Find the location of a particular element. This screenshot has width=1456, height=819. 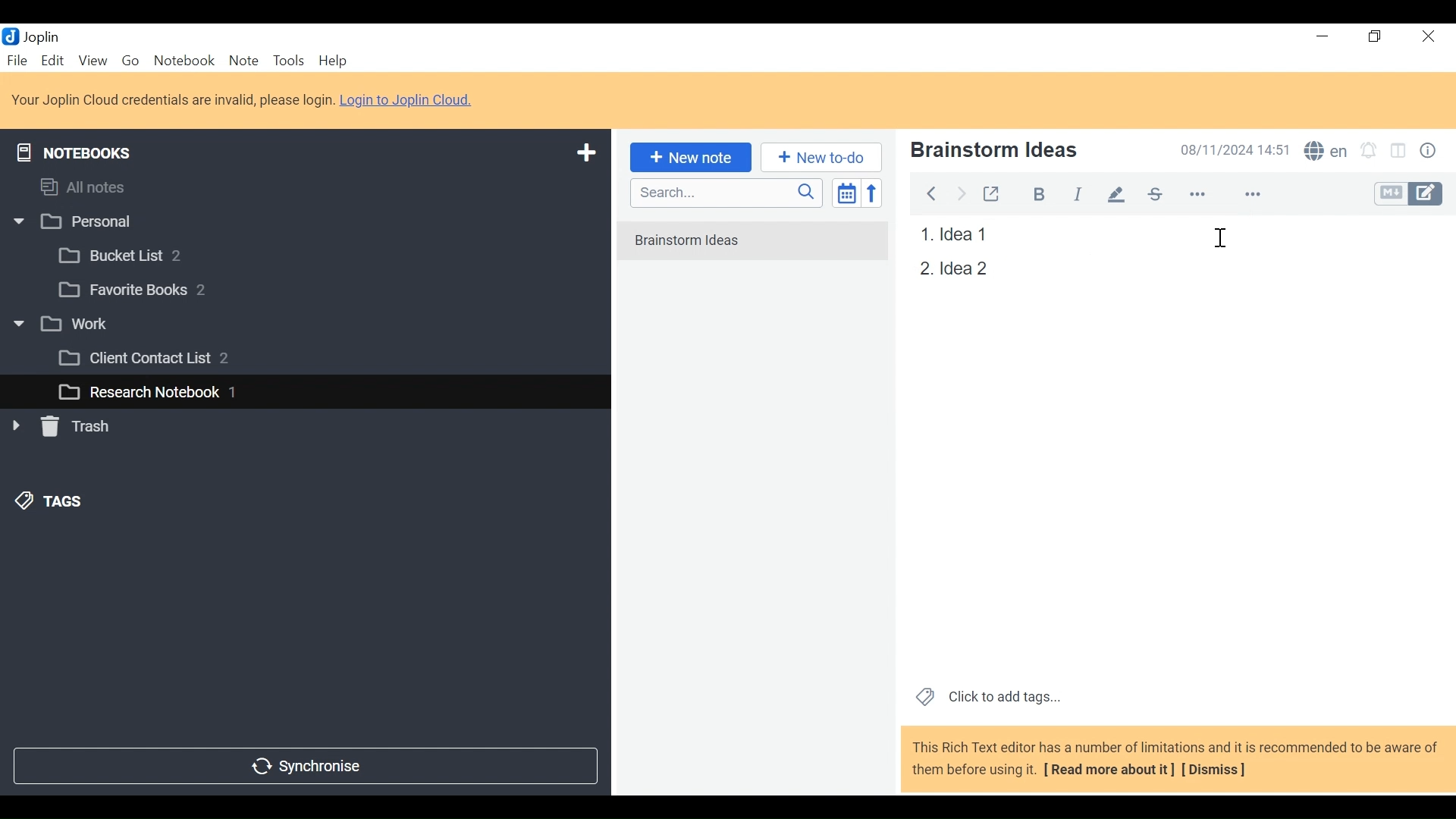

Edit is located at coordinates (54, 60).